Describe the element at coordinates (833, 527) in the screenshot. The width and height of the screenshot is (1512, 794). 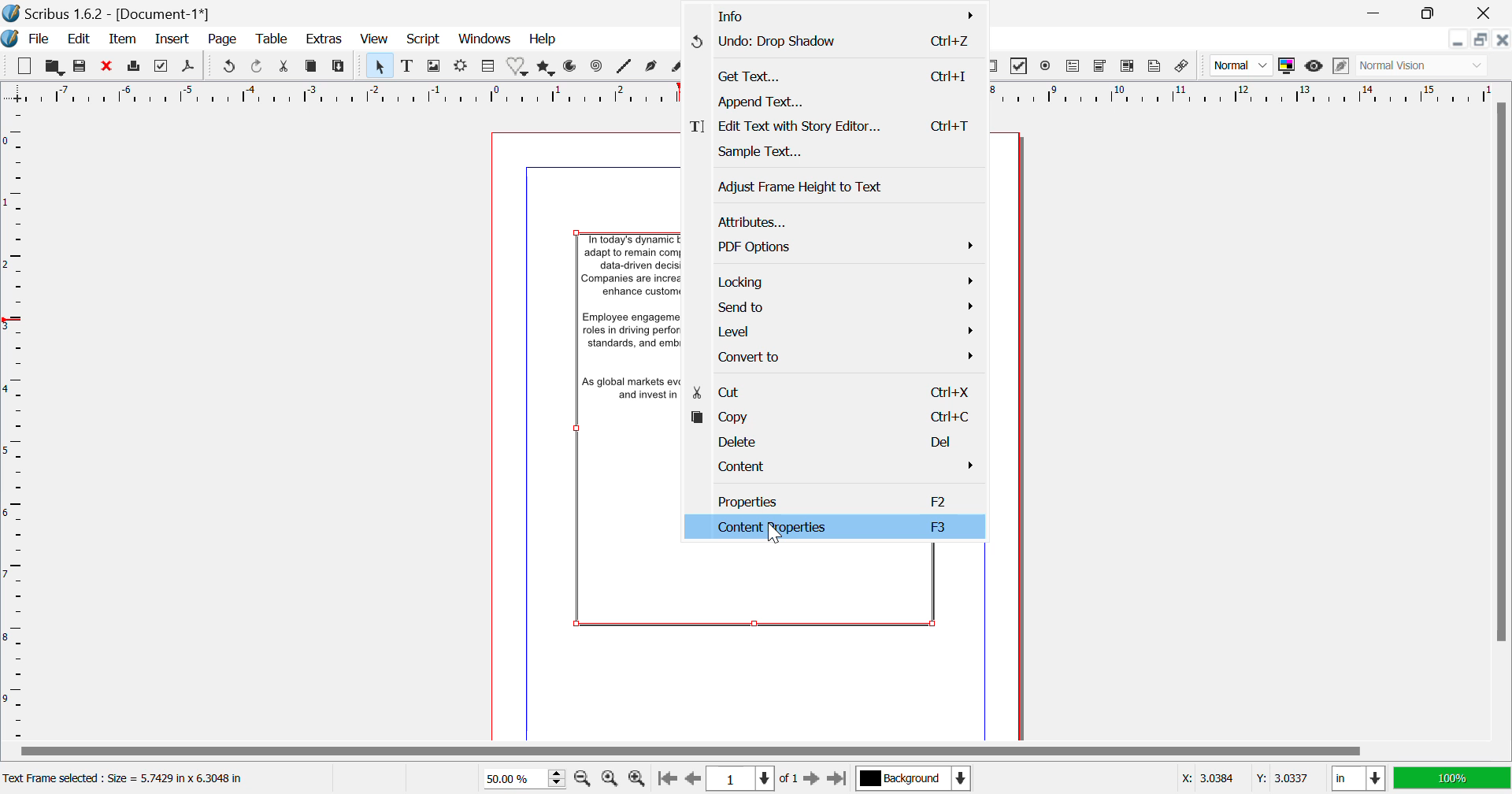
I see `Content Properties` at that location.